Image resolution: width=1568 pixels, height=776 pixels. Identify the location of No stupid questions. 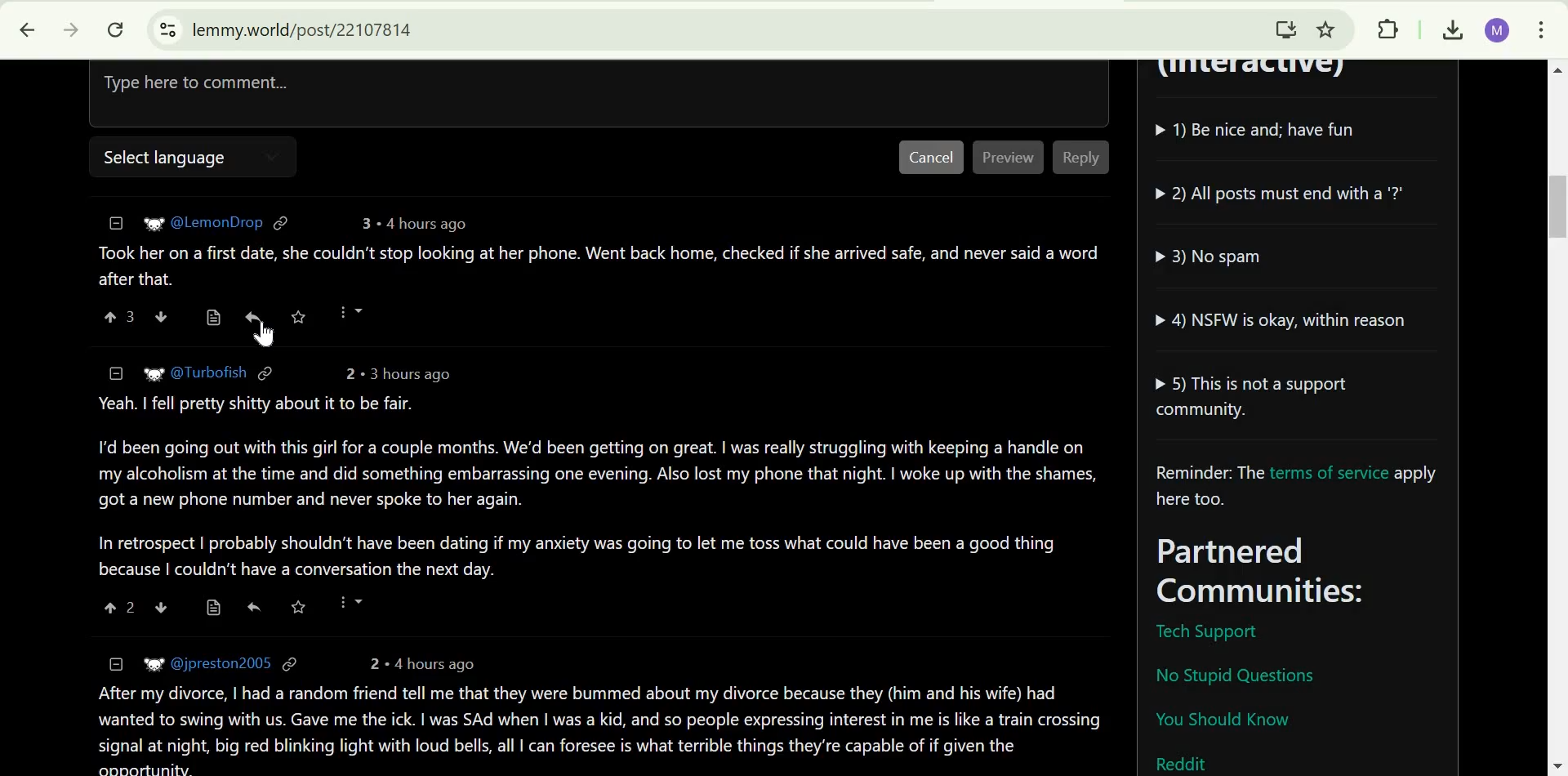
(1240, 675).